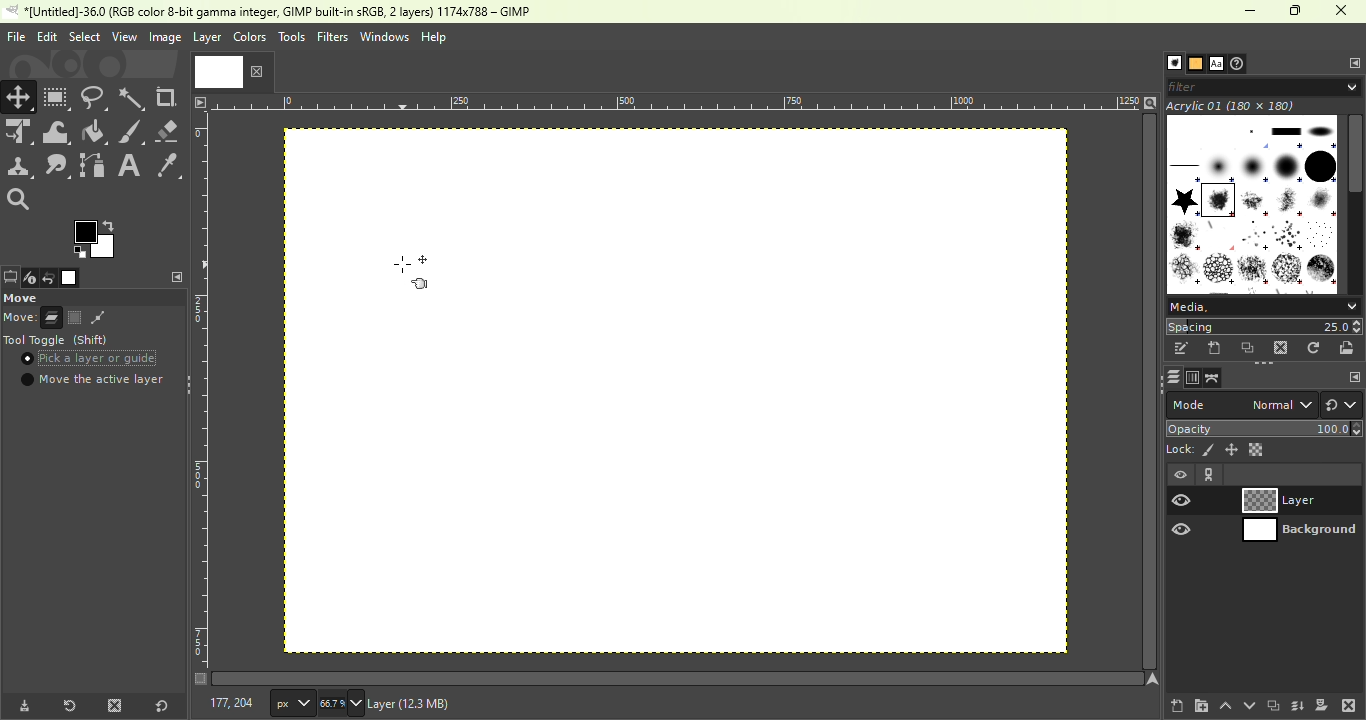 The image size is (1366, 720). I want to click on 177204, so click(221, 703).